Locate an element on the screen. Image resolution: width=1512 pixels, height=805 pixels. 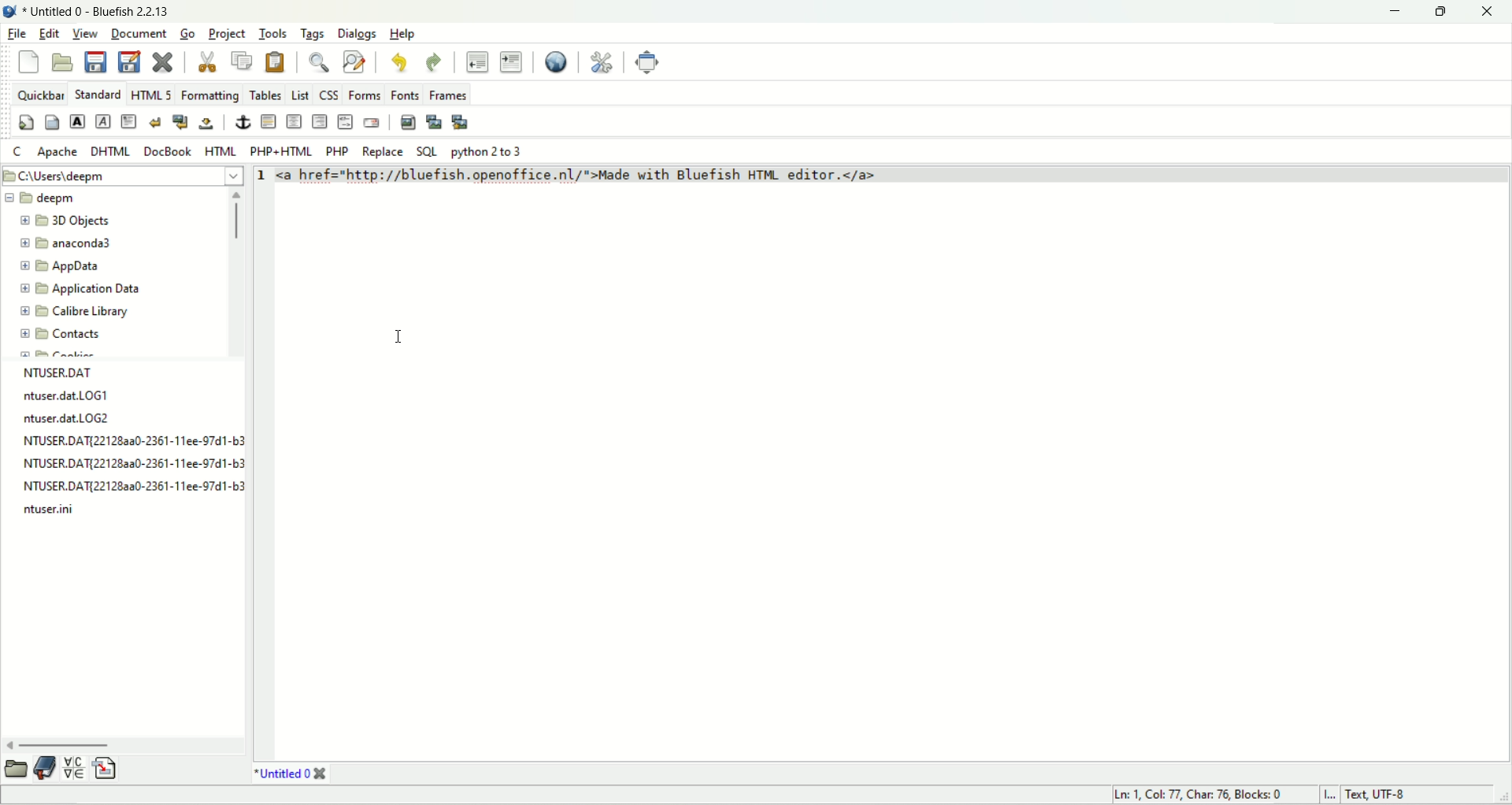
text, UTF-8 is located at coordinates (1387, 796).